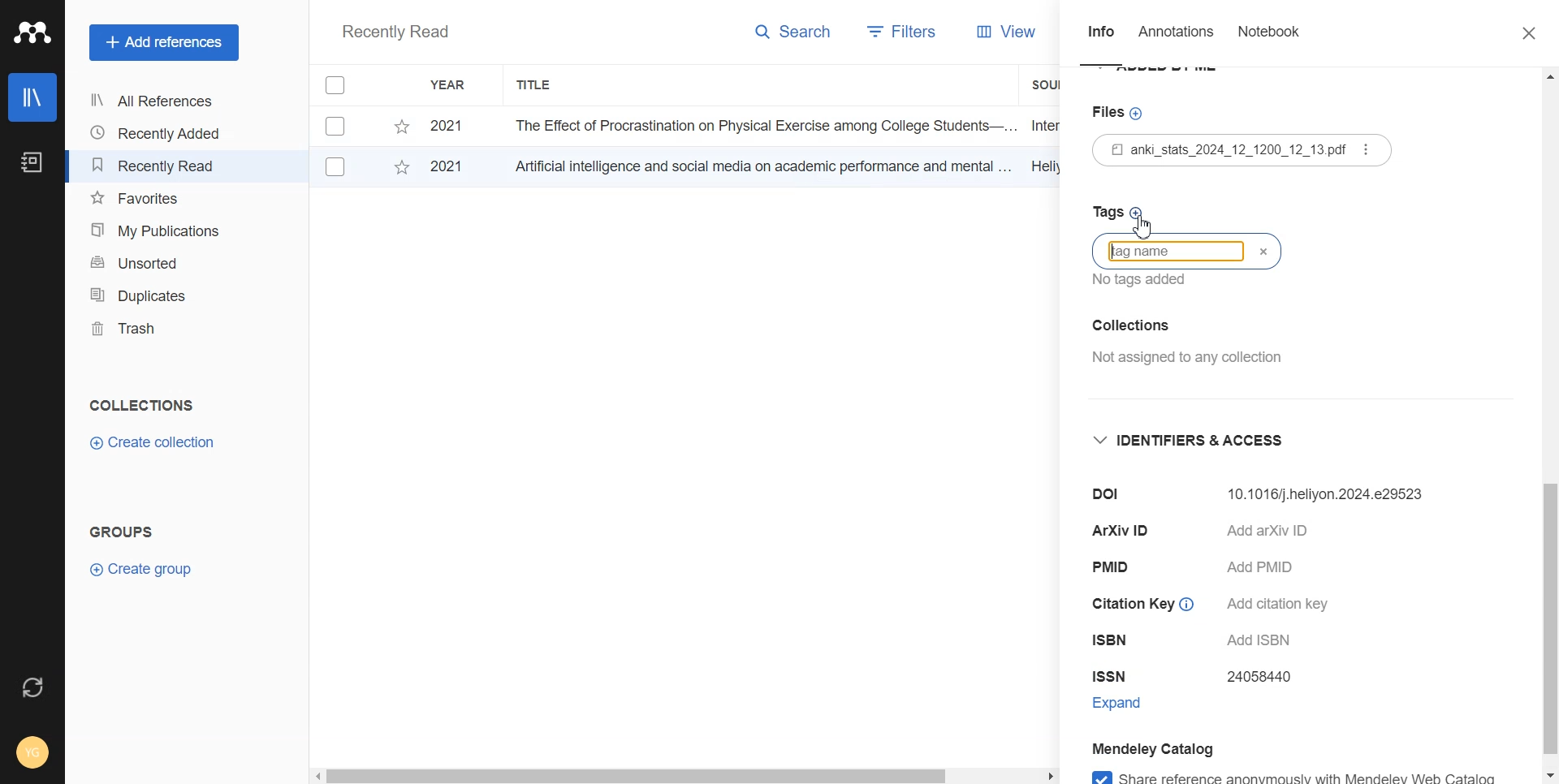 This screenshot has height=784, width=1559. I want to click on Vertical scroll bar, so click(1549, 426).